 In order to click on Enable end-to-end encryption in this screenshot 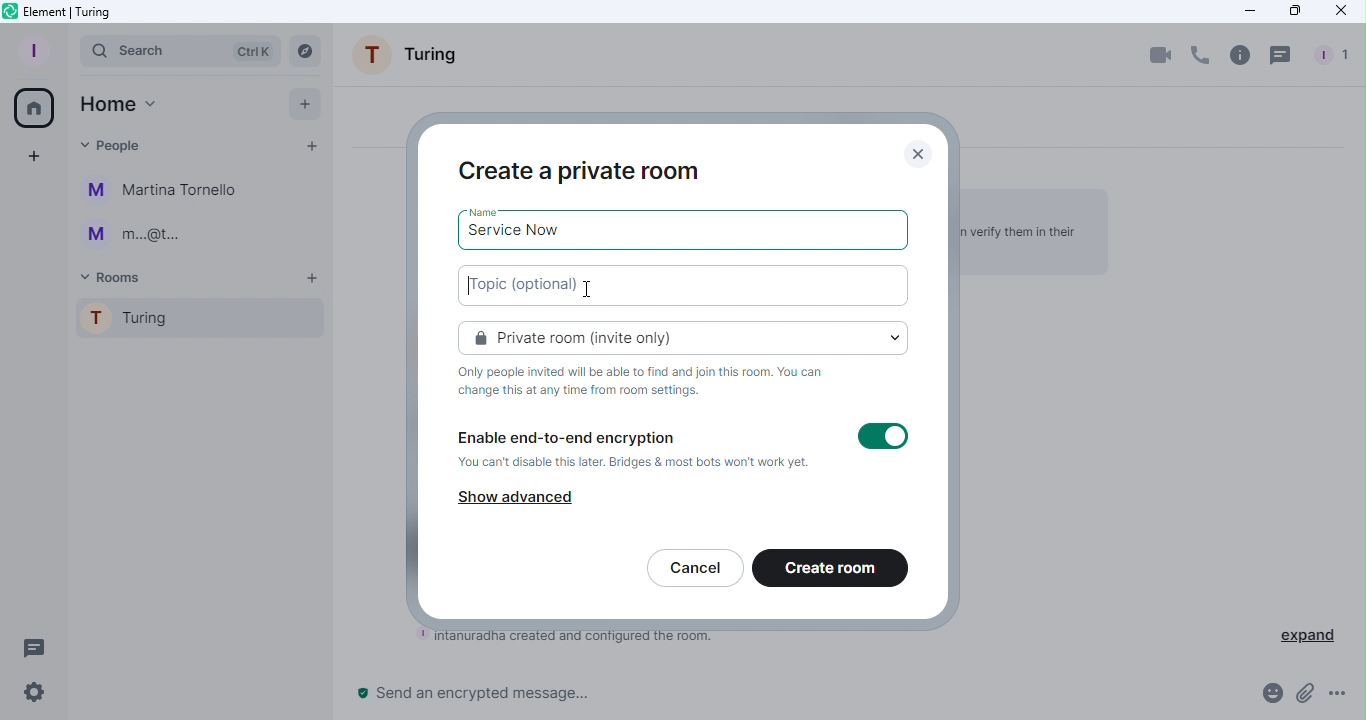, I will do `click(634, 451)`.